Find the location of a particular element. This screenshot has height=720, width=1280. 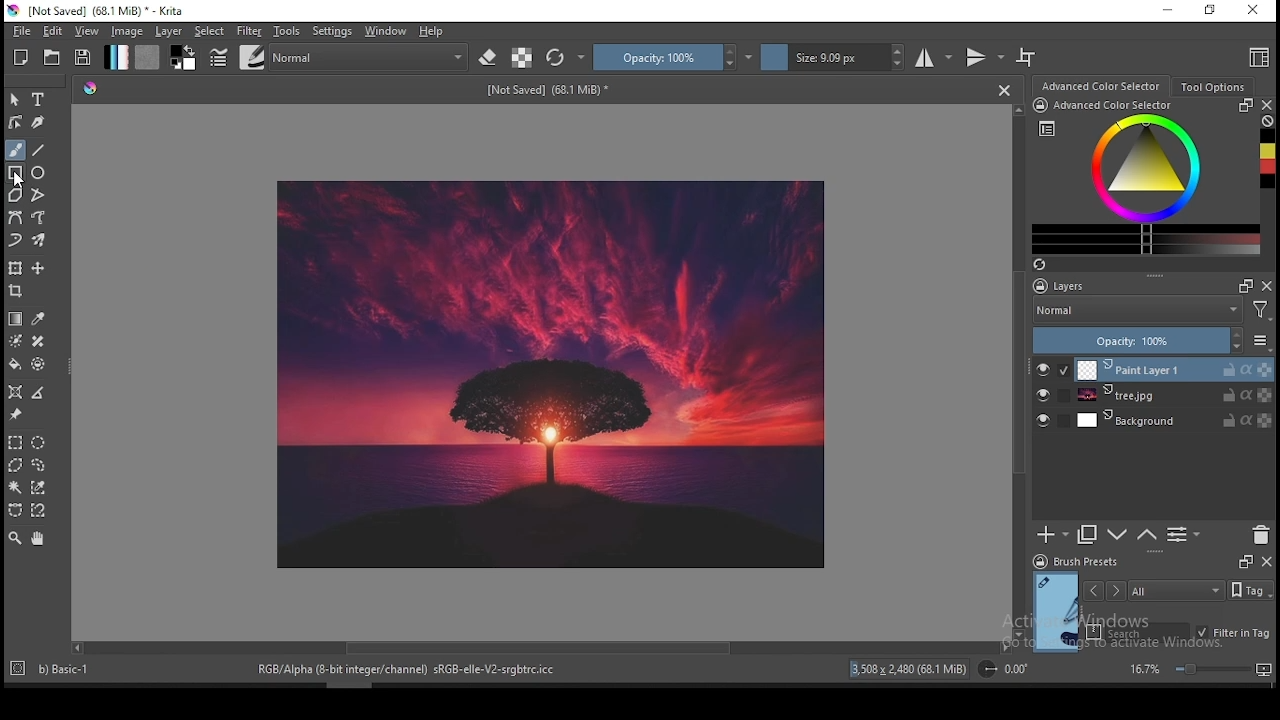

roattion is located at coordinates (1001, 669).